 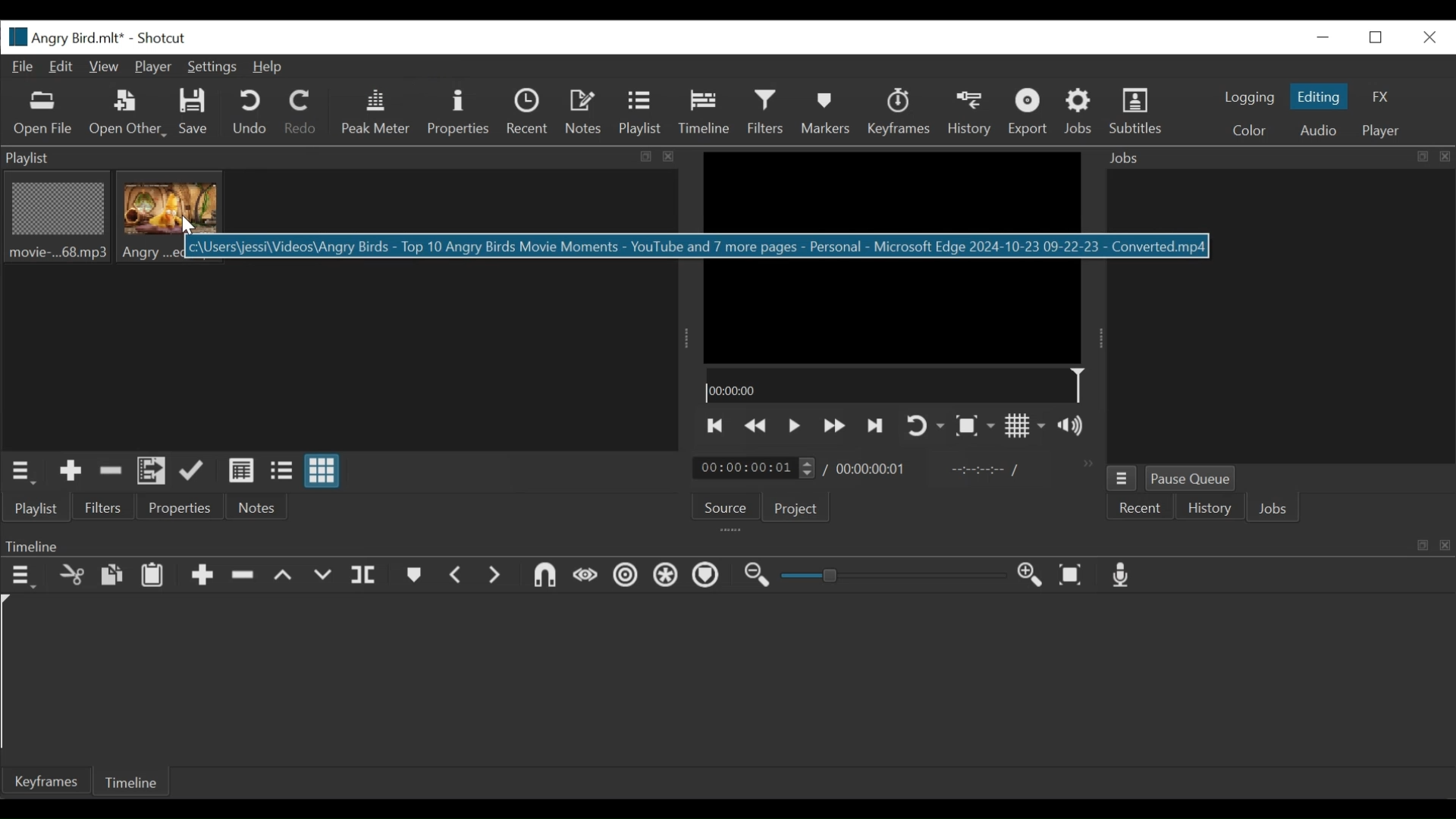 What do you see at coordinates (1245, 98) in the screenshot?
I see `logging` at bounding box center [1245, 98].